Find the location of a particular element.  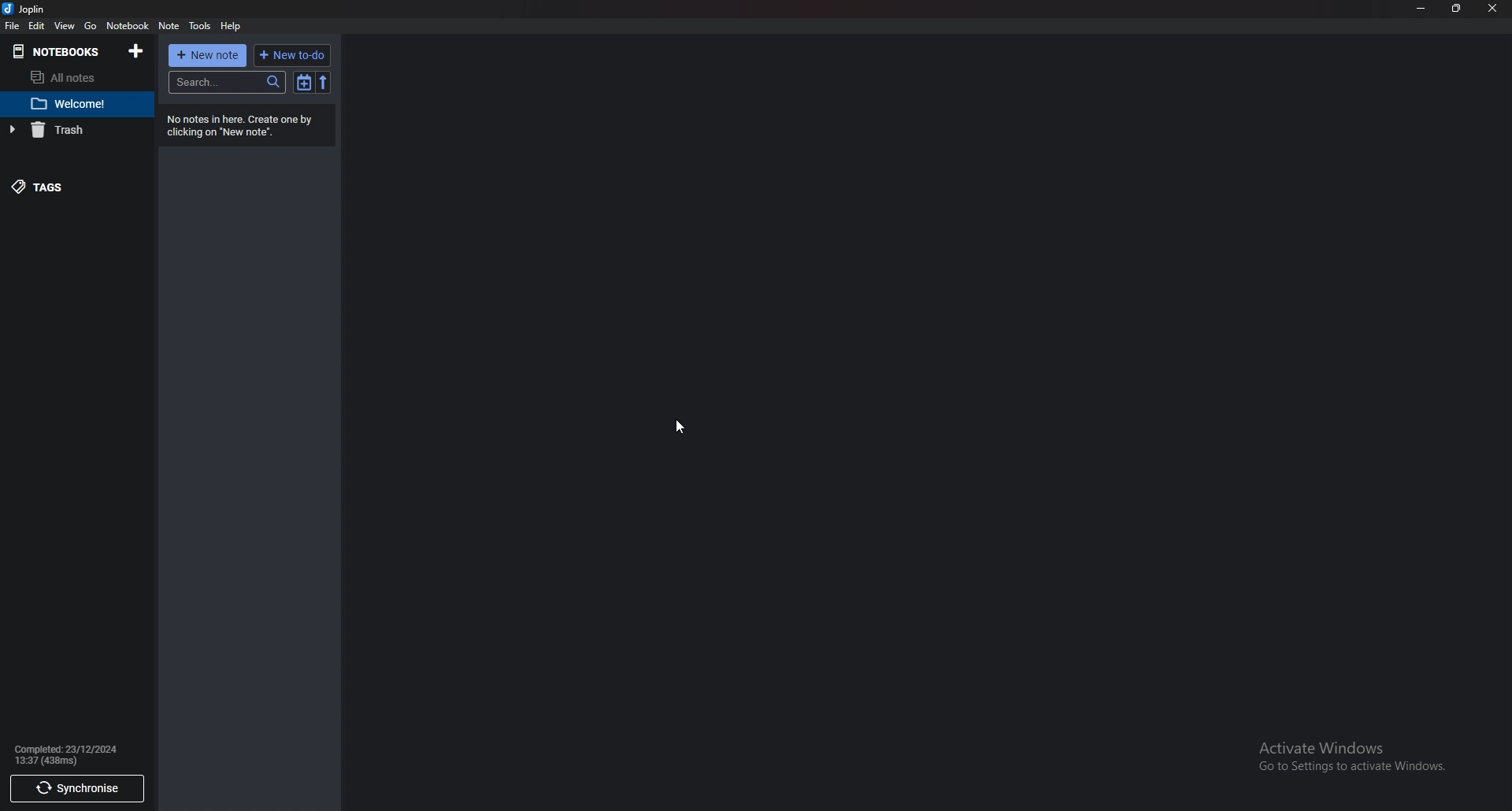

Notebooks is located at coordinates (60, 51).